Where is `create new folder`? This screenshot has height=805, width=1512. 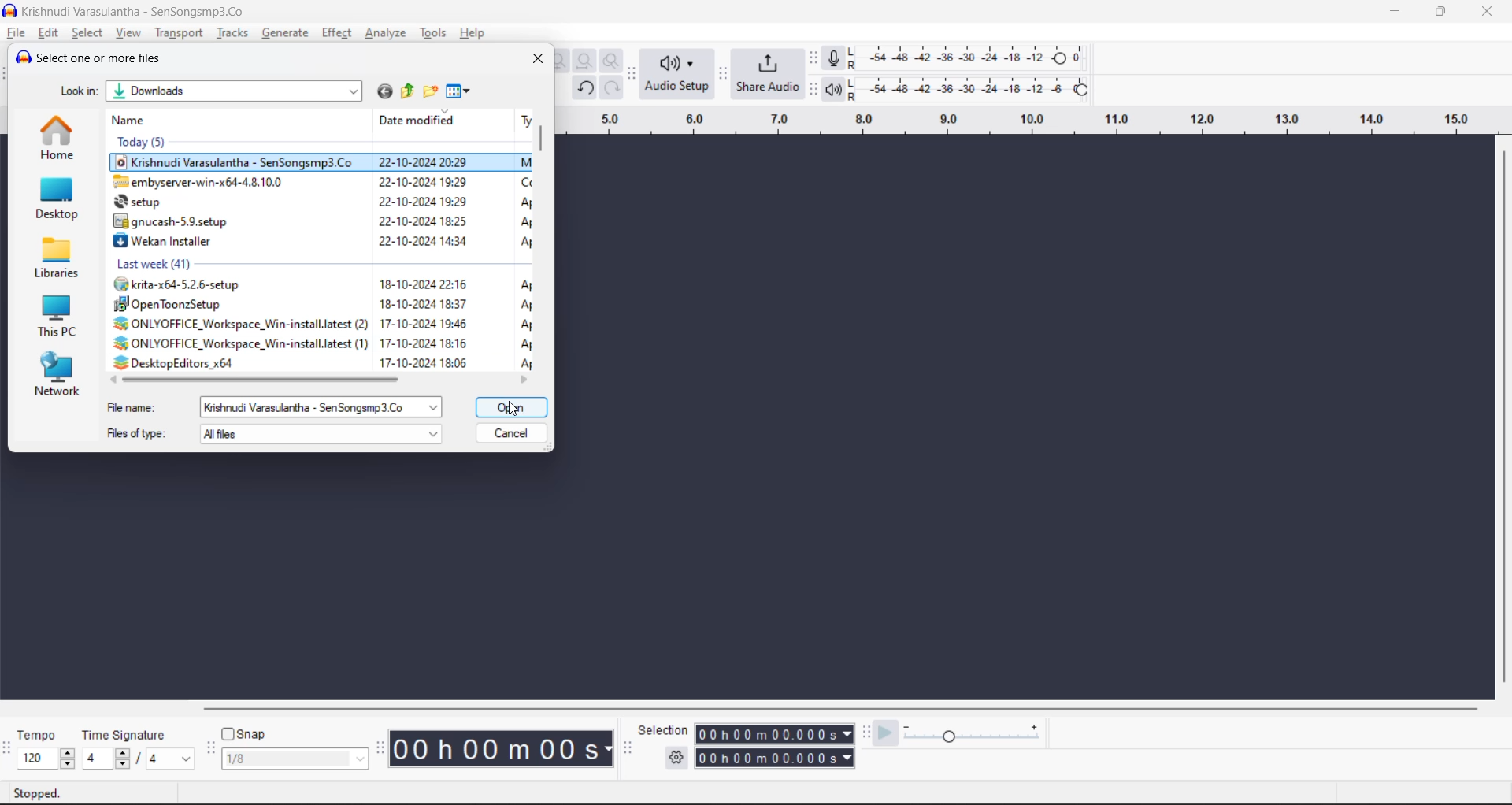 create new folder is located at coordinates (428, 91).